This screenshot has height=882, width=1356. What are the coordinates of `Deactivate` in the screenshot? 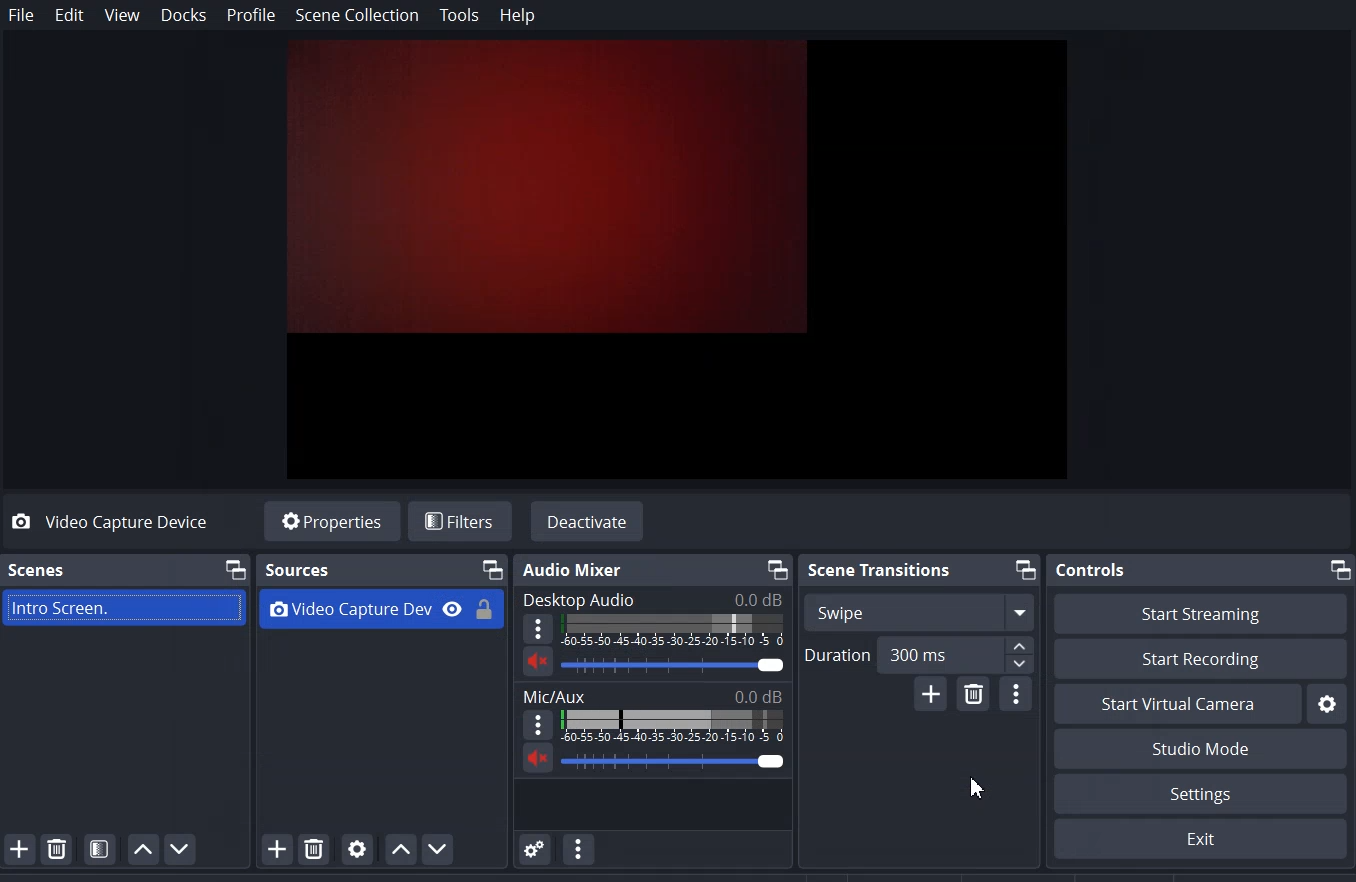 It's located at (587, 520).